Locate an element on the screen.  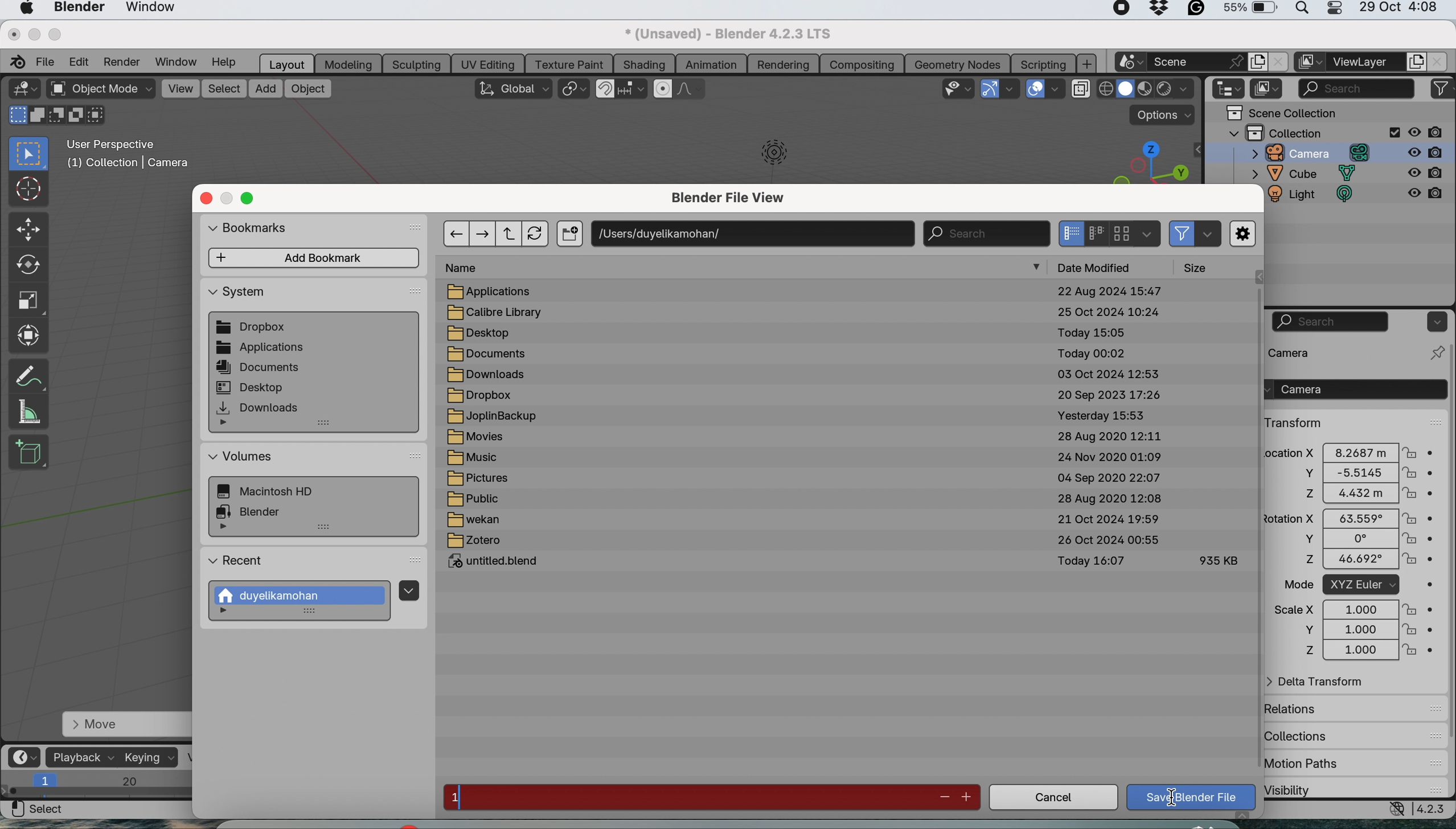
camera is located at coordinates (1304, 153).